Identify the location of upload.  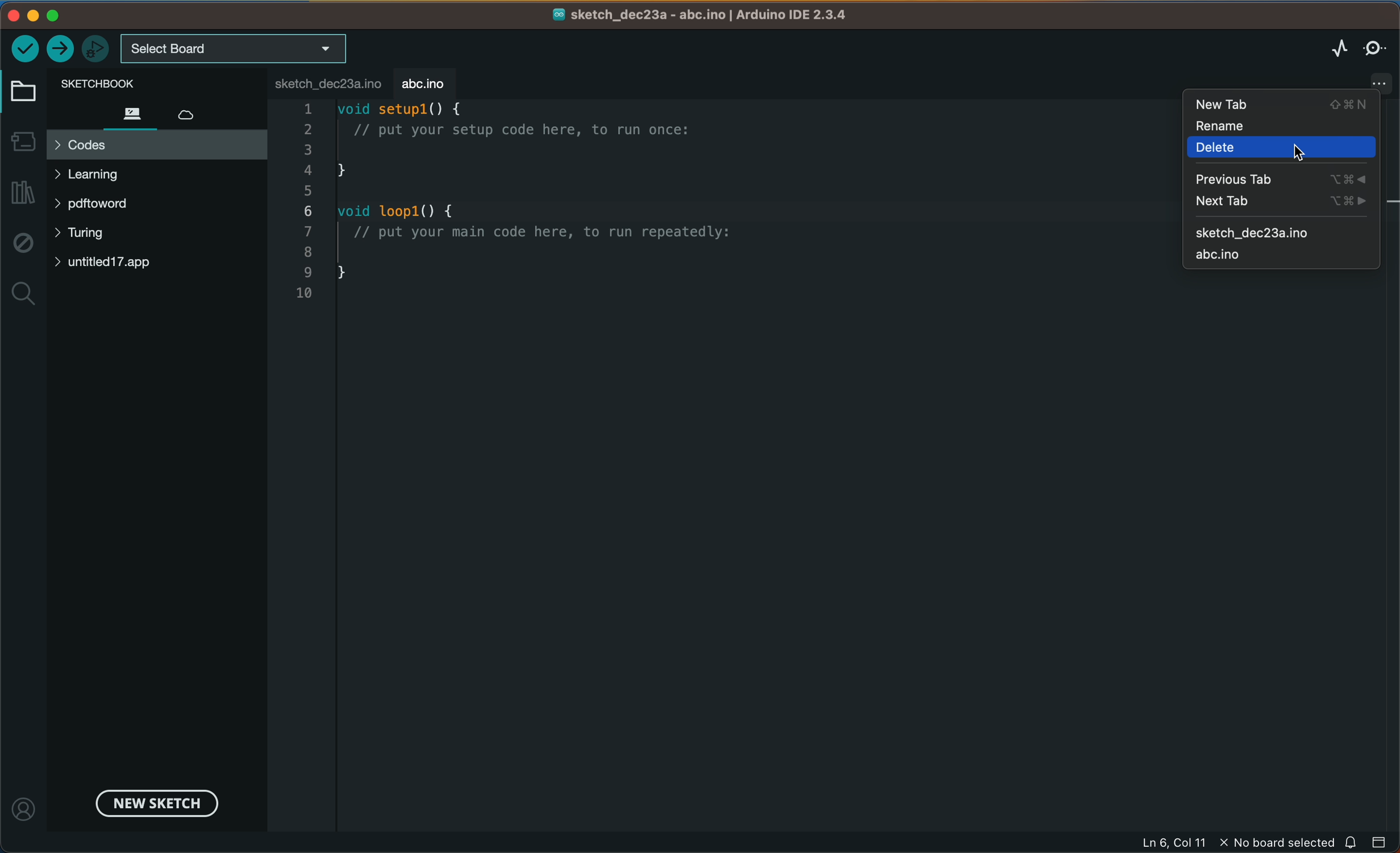
(58, 49).